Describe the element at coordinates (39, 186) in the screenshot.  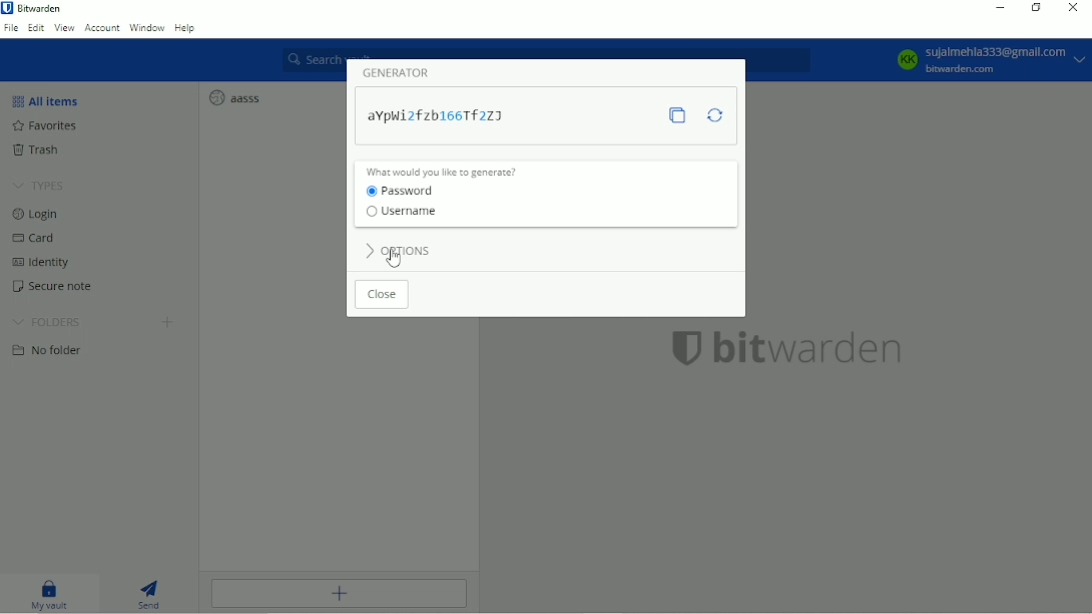
I see `Types` at that location.